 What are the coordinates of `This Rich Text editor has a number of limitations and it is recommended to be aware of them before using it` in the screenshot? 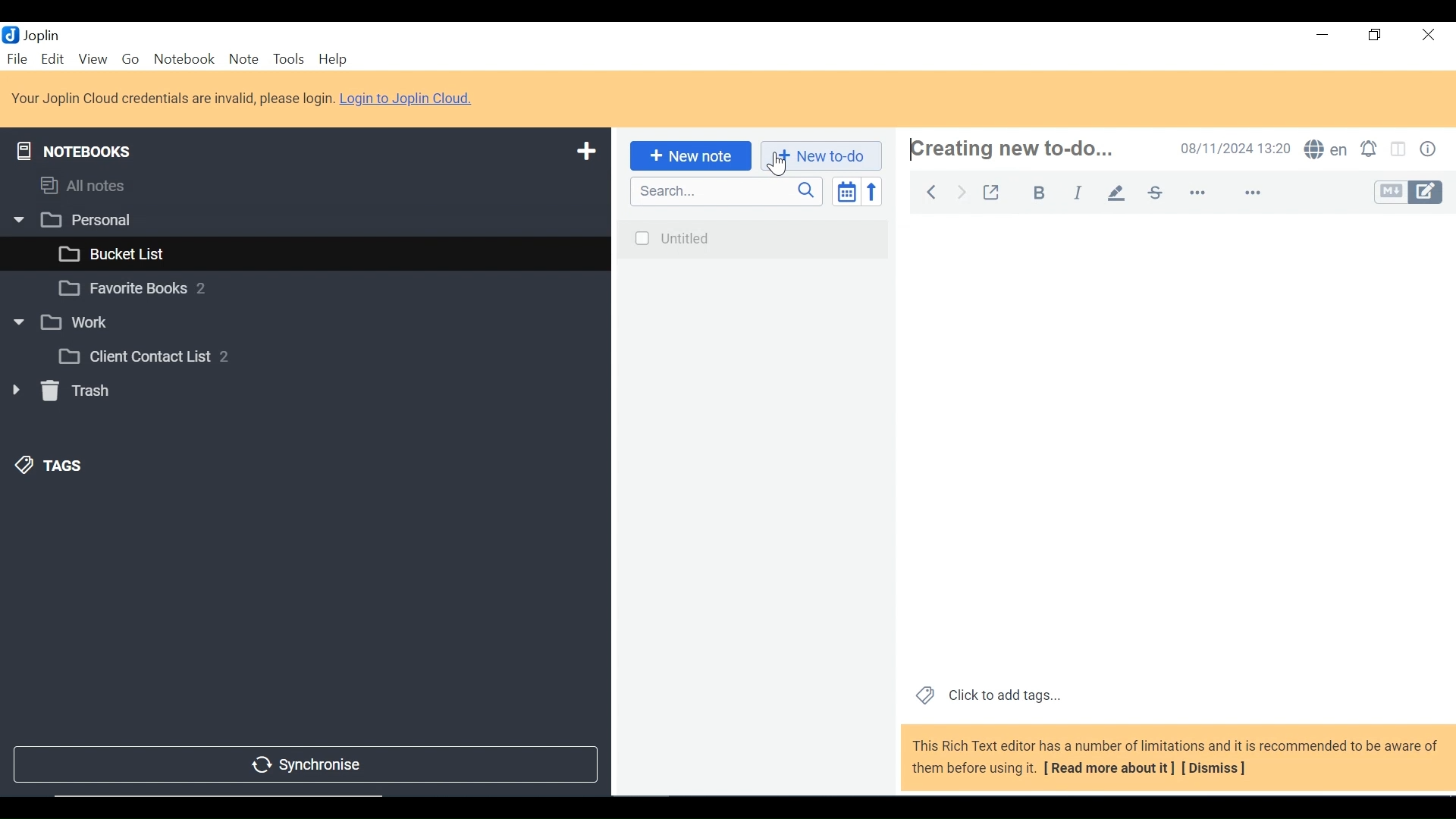 It's located at (1176, 758).